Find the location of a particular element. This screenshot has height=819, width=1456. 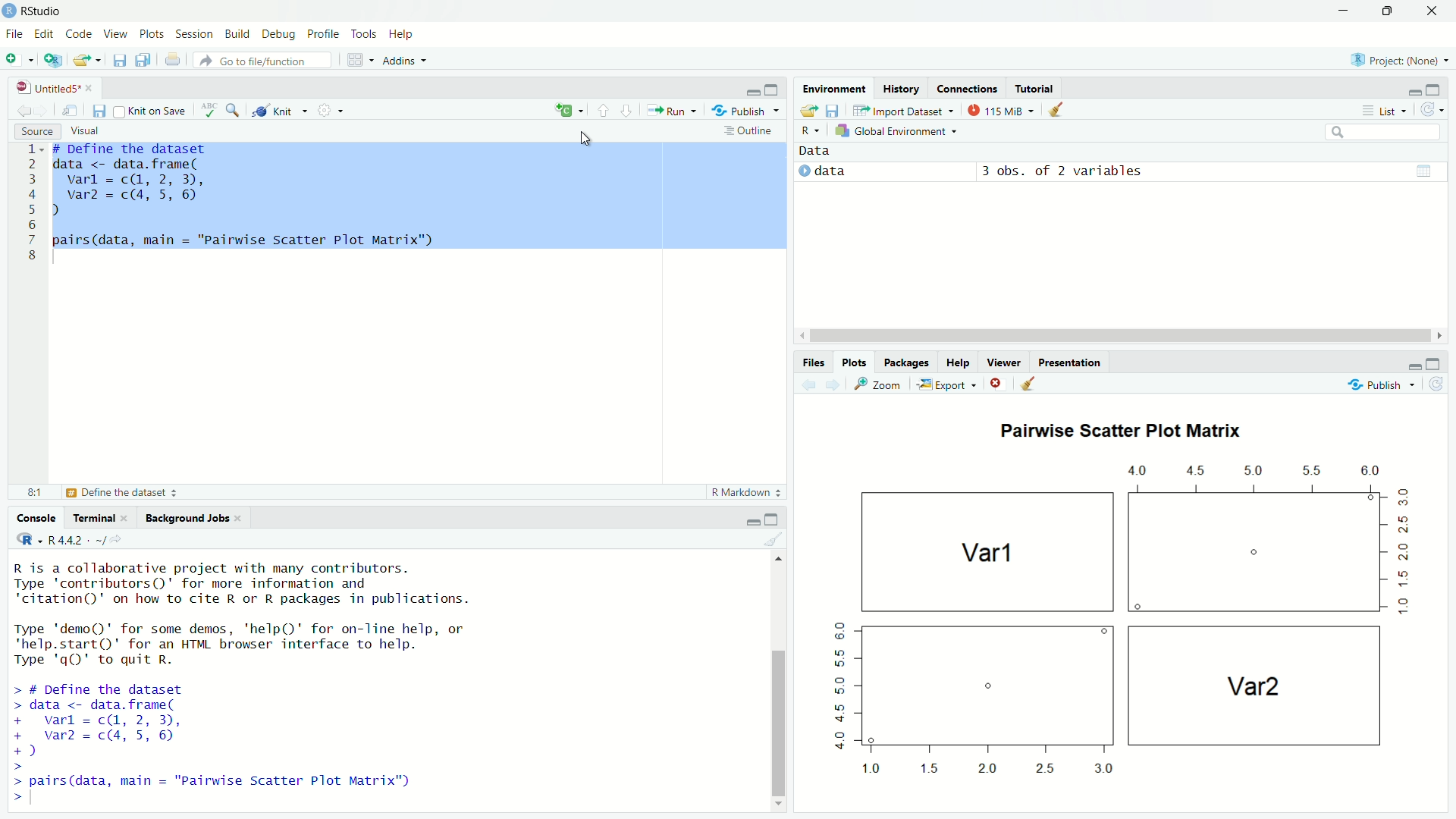

Save current document (Ctrl + S) is located at coordinates (120, 58).